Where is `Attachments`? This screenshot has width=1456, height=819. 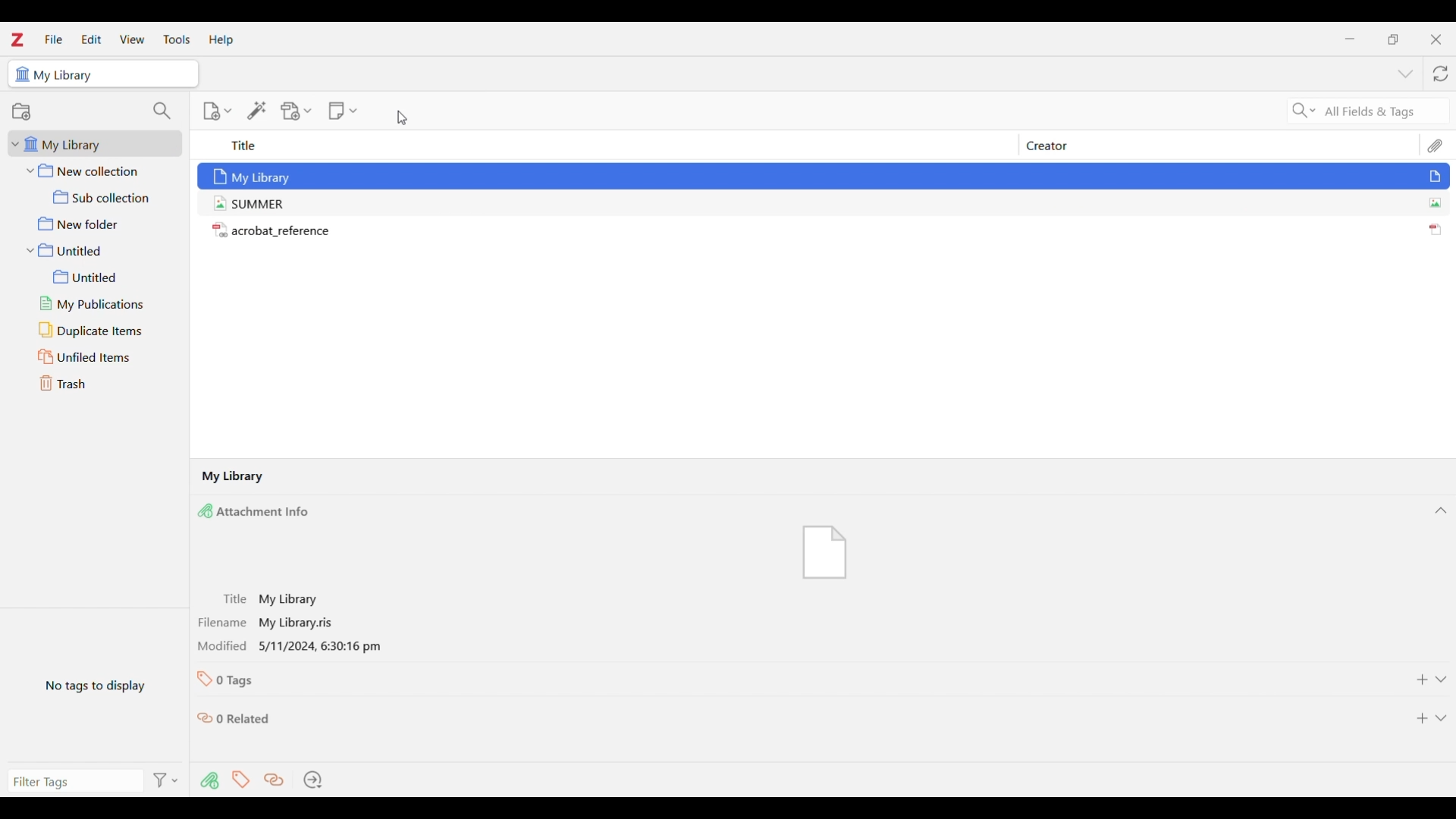
Attachments is located at coordinates (204, 784).